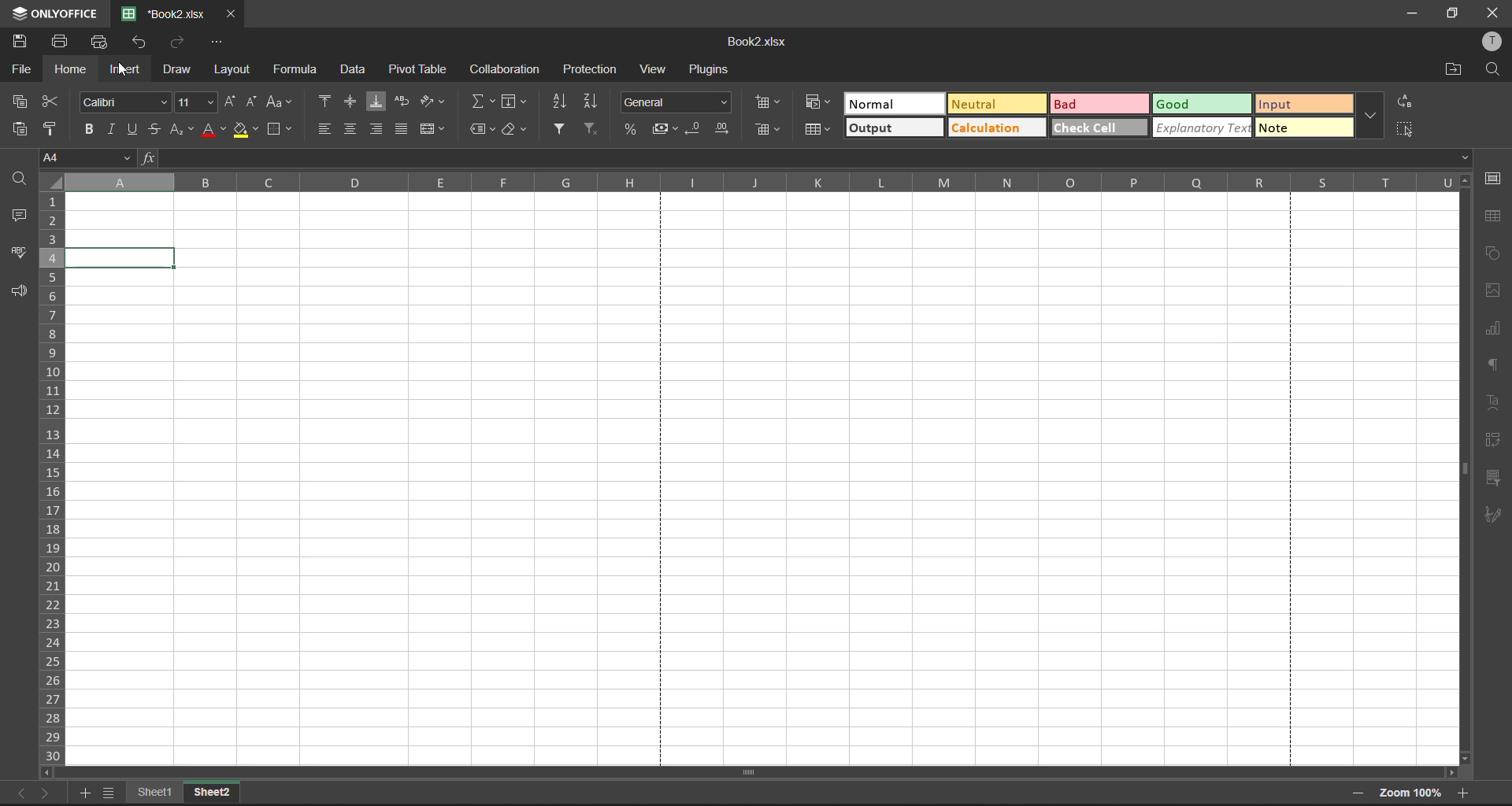  Describe the element at coordinates (132, 129) in the screenshot. I see `underline` at that location.